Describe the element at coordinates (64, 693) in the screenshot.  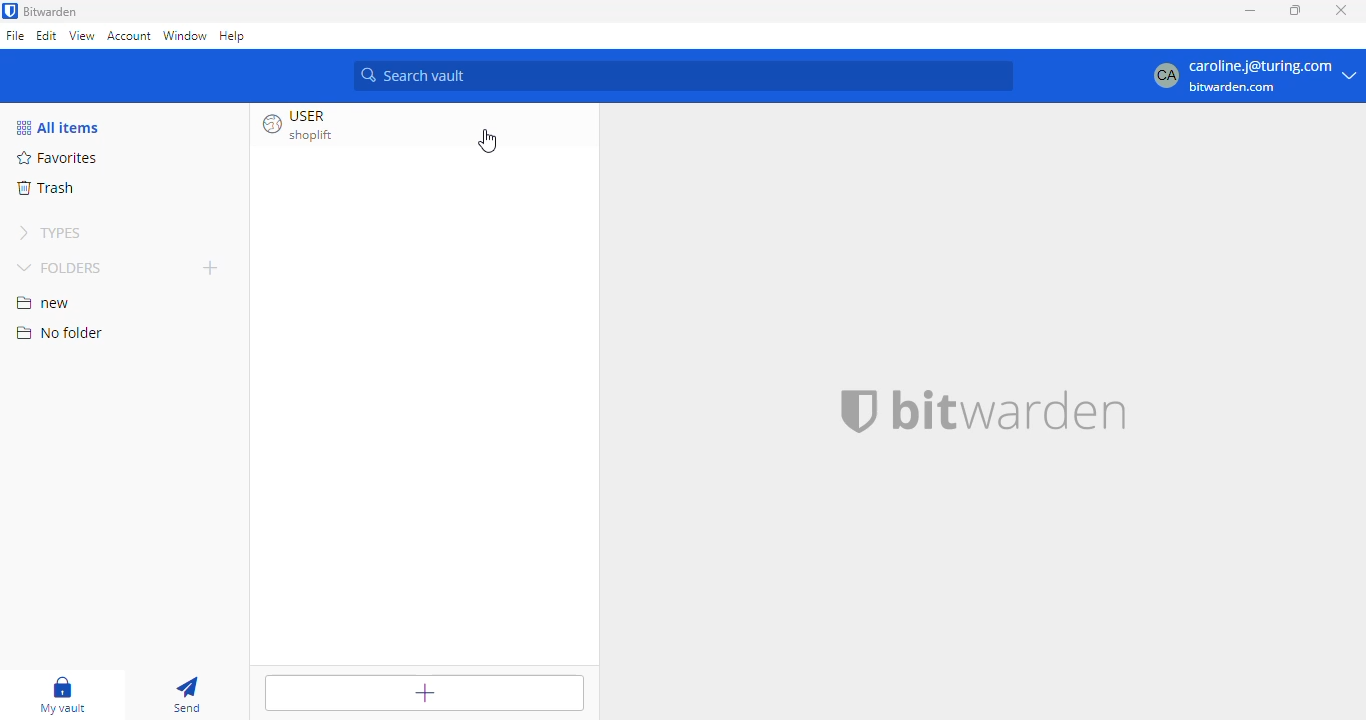
I see `my vault` at that location.